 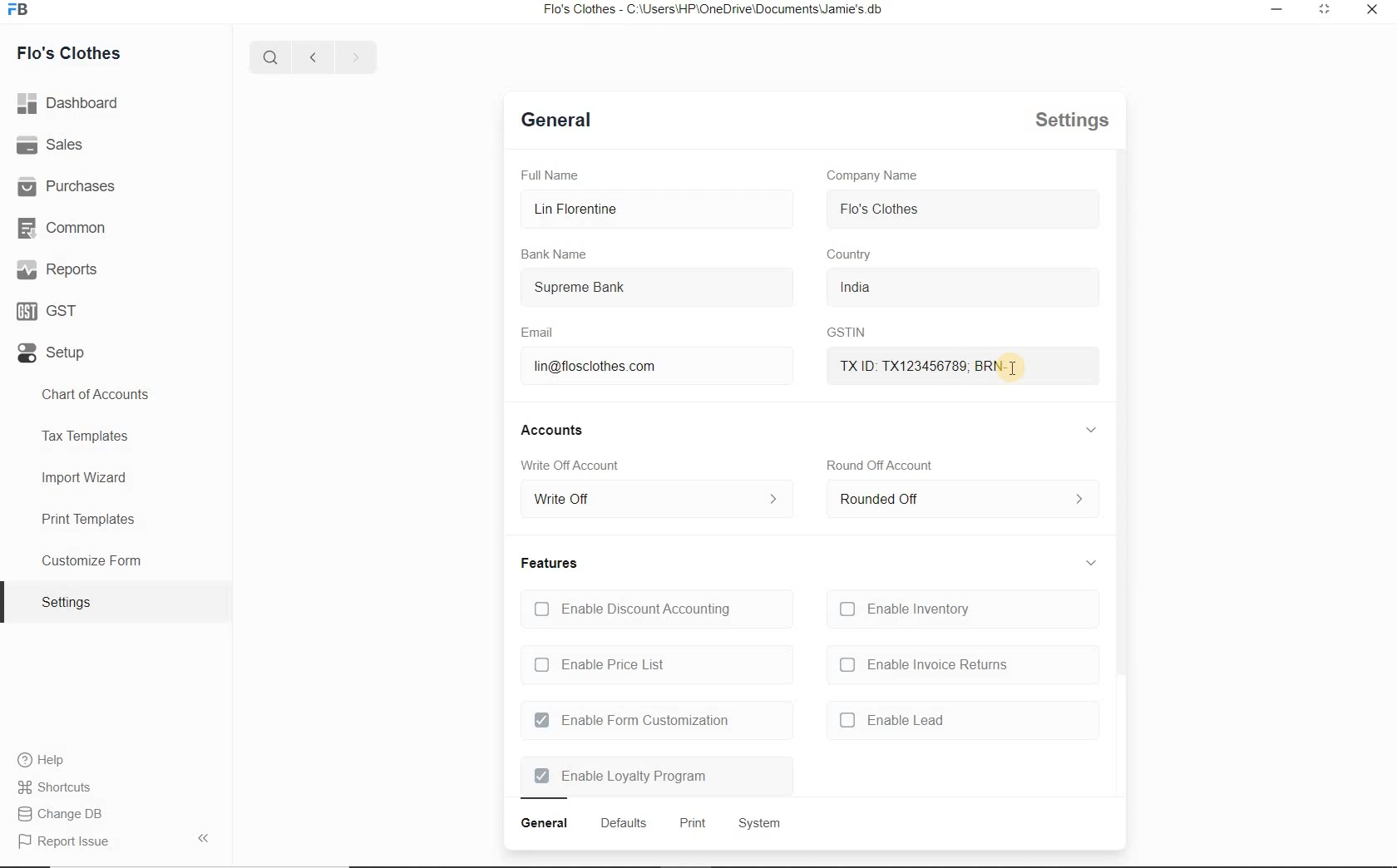 I want to click on Enable Form Customization, so click(x=631, y=721).